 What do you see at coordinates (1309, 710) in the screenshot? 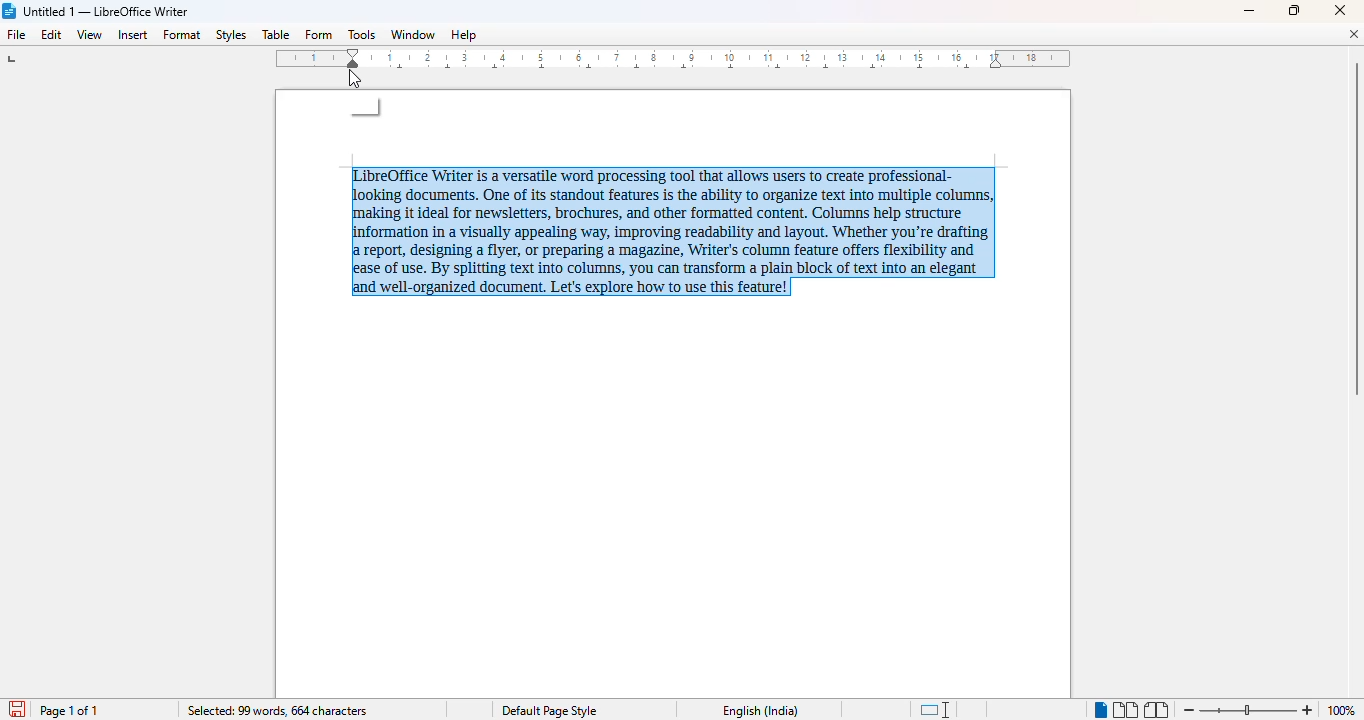
I see `zoom in` at bounding box center [1309, 710].